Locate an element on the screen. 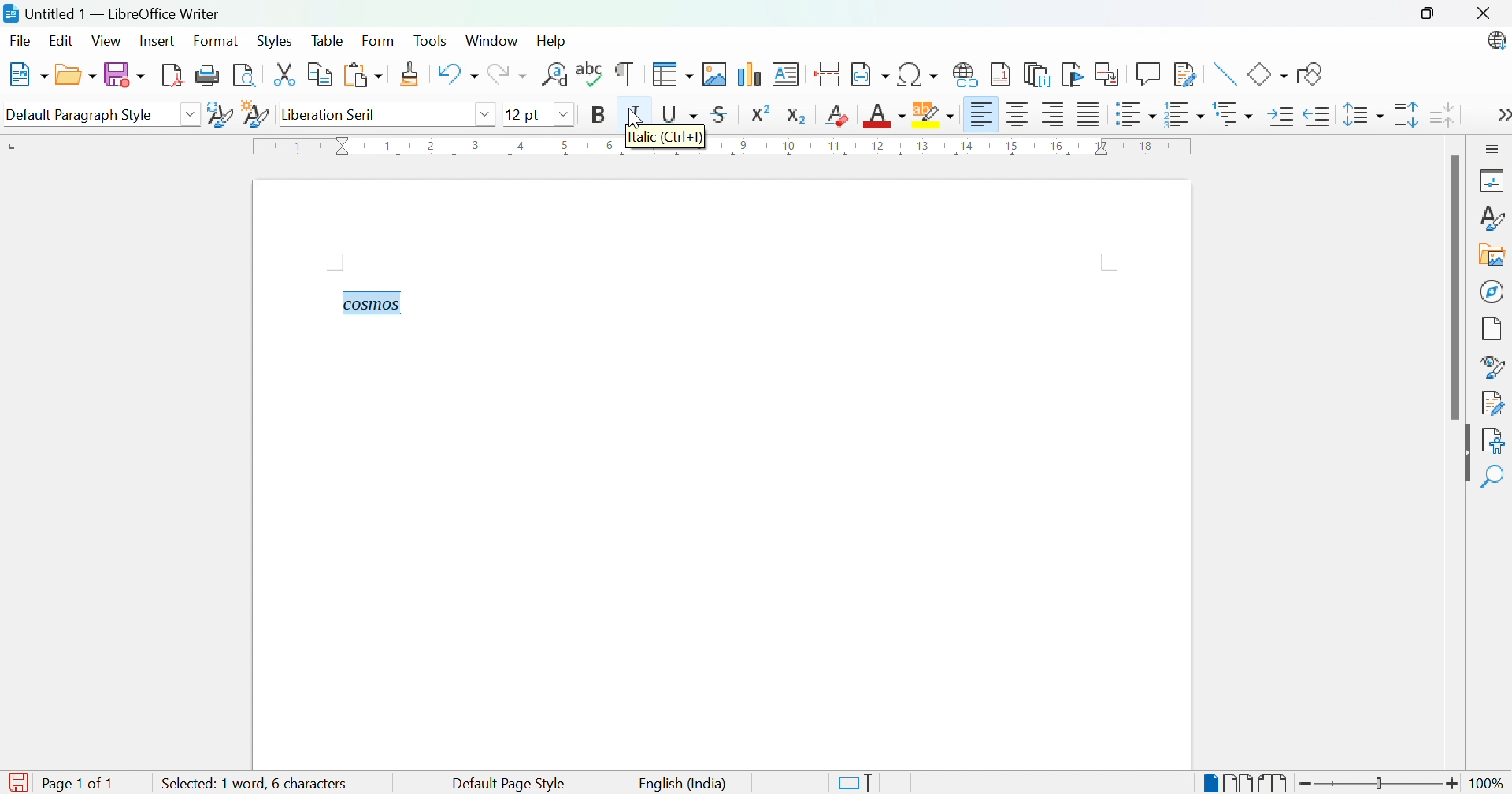 This screenshot has height=794, width=1512. Insert chart is located at coordinates (747, 75).